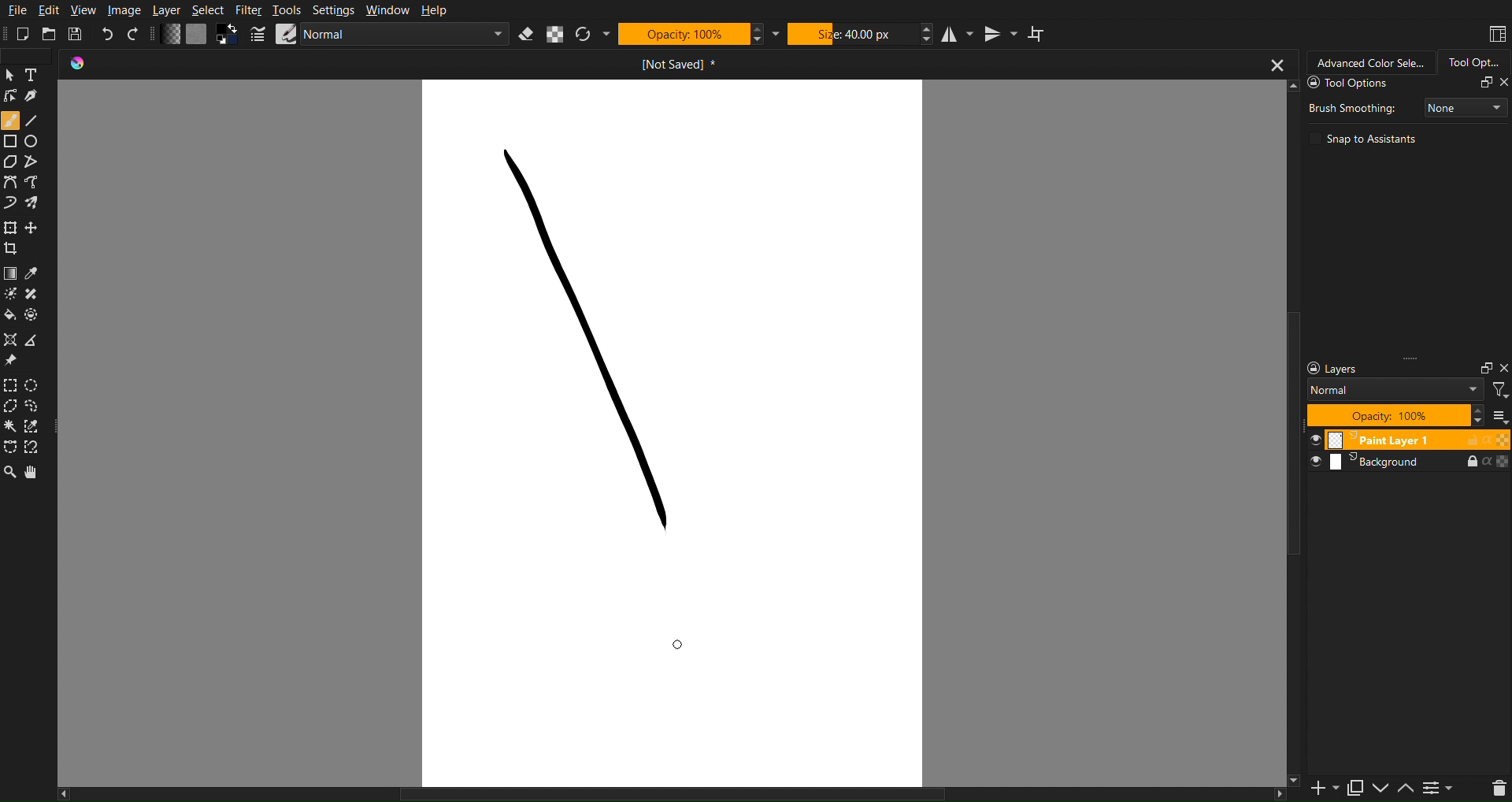 This screenshot has width=1512, height=802. Describe the element at coordinates (1381, 84) in the screenshot. I see `Tool Options` at that location.